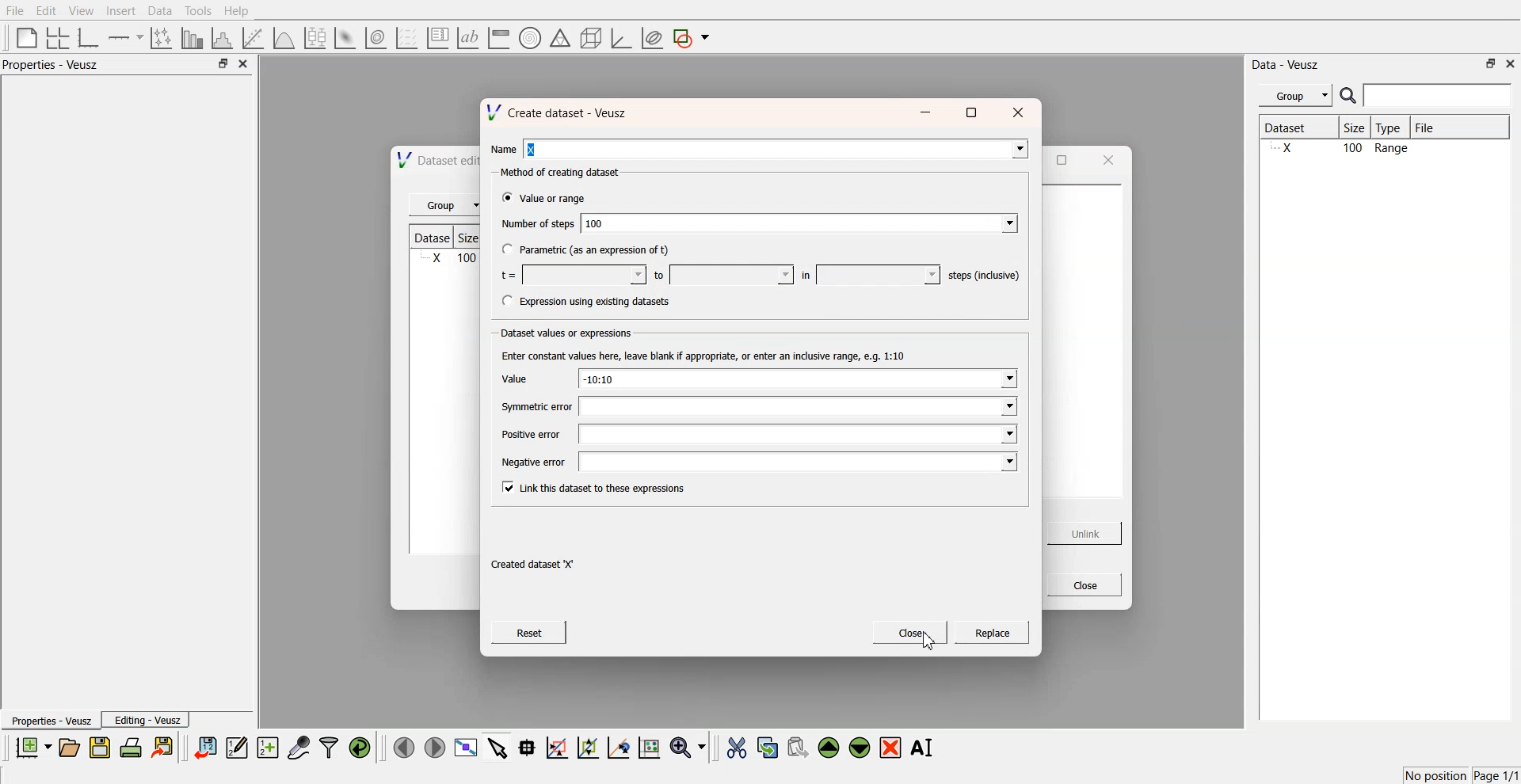 This screenshot has width=1521, height=784. I want to click on minimise or maximise, so click(223, 64).